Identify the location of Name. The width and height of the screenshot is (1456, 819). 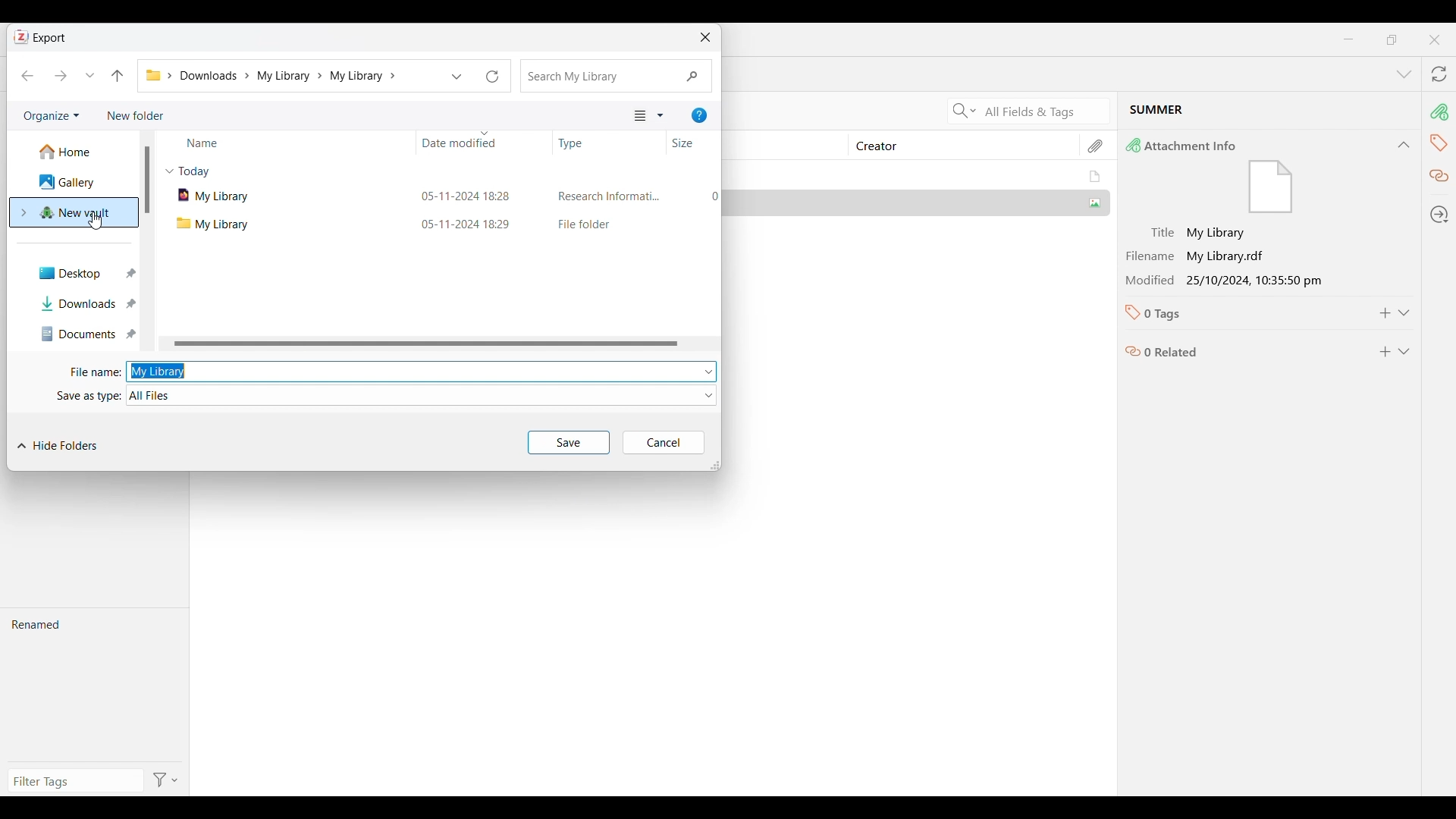
(288, 142).